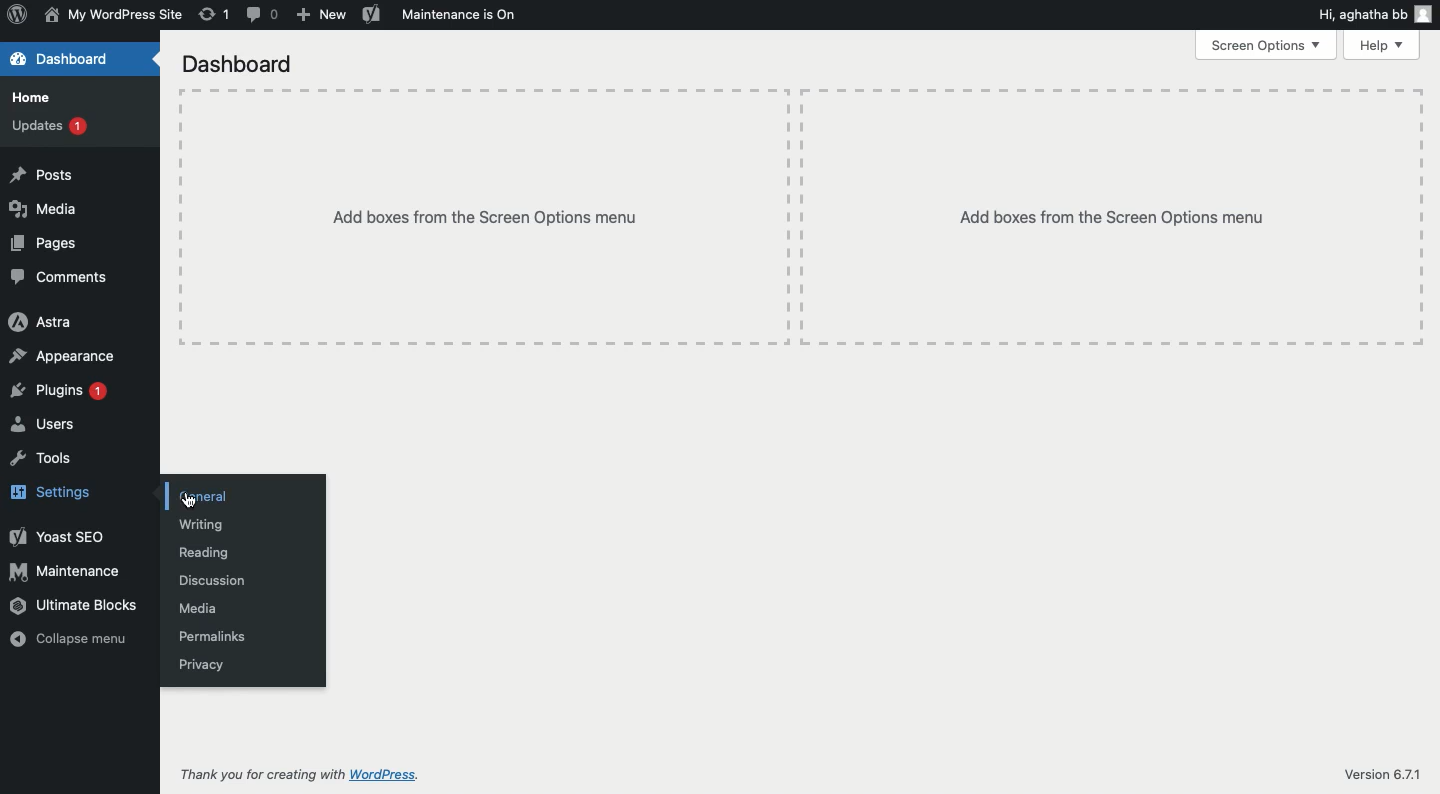  What do you see at coordinates (43, 457) in the screenshot?
I see `Tools` at bounding box center [43, 457].